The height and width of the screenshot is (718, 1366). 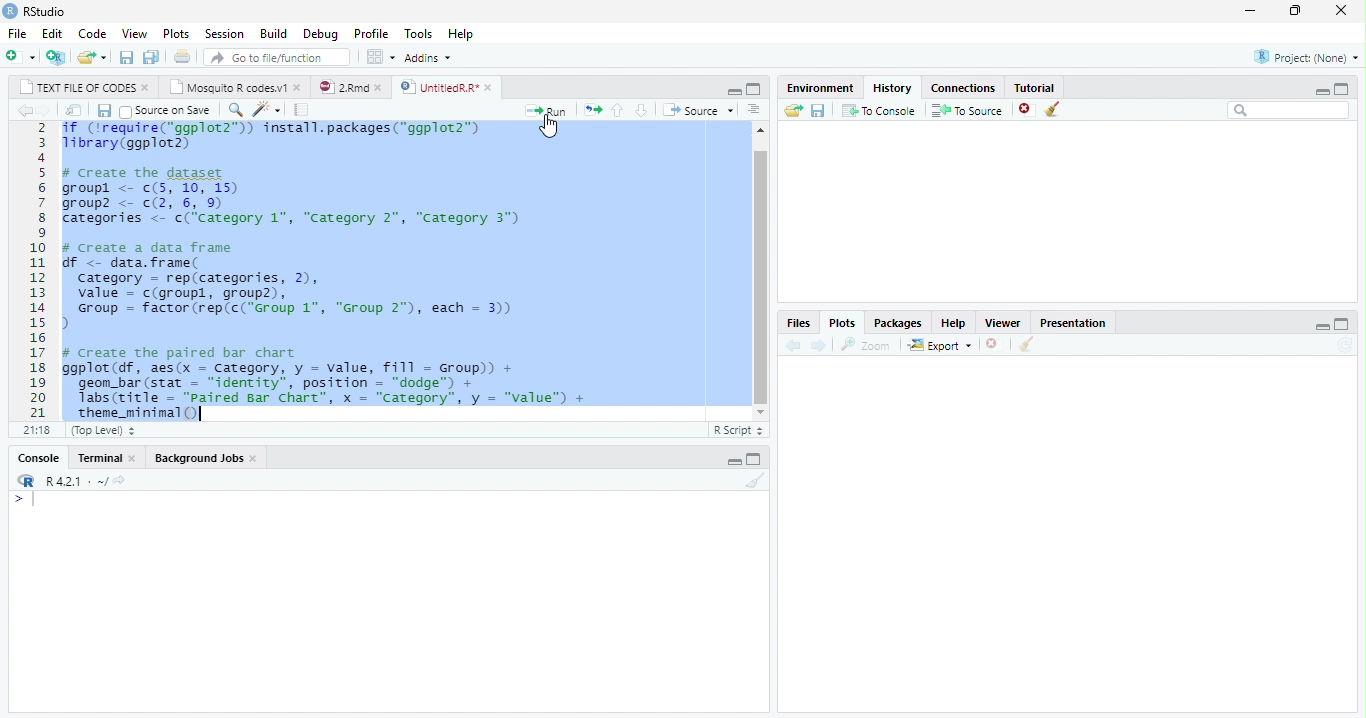 I want to click on close, so click(x=1339, y=11).